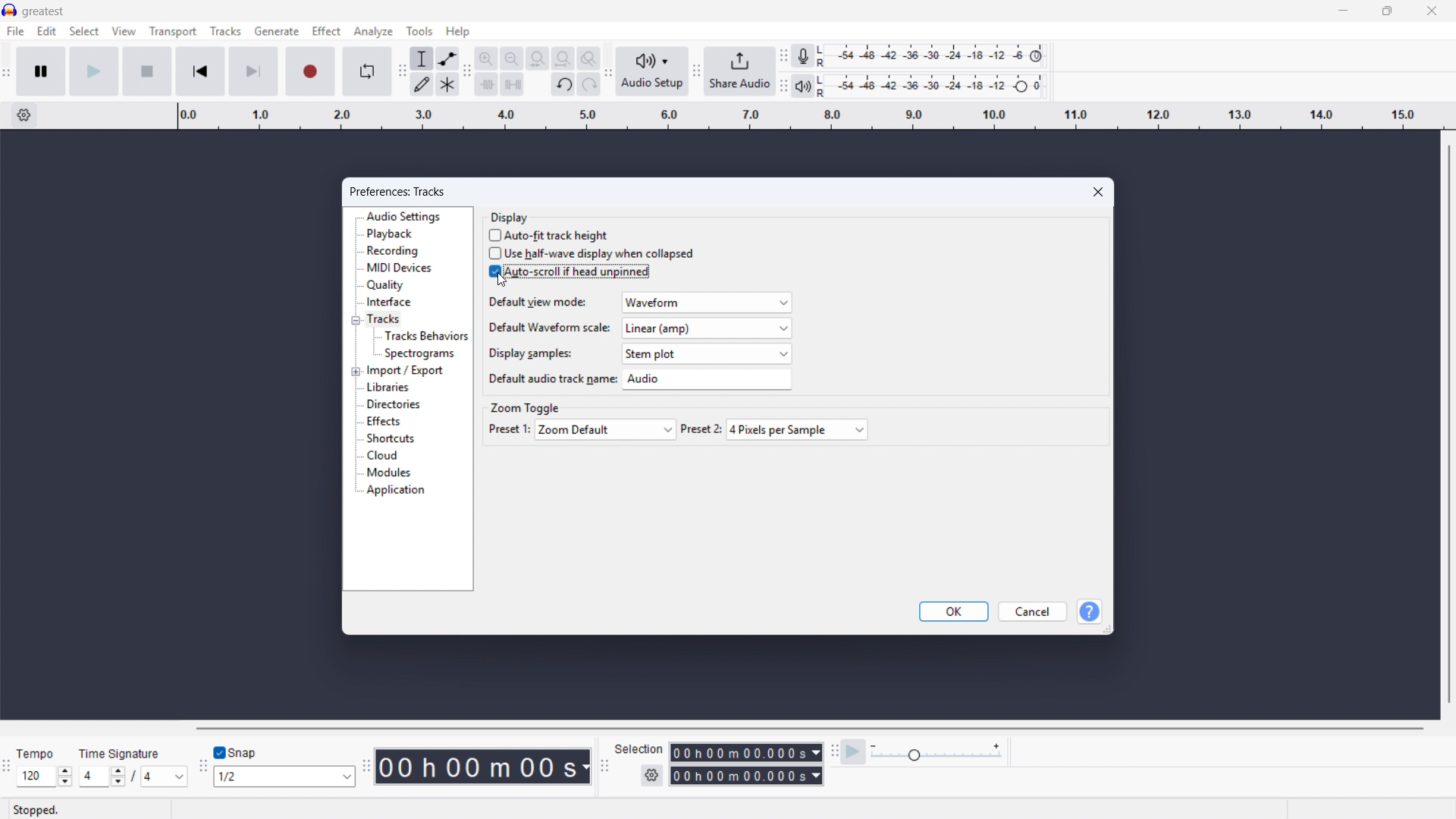 The image size is (1456, 819). Describe the element at coordinates (448, 58) in the screenshot. I see `Envelope tool ` at that location.